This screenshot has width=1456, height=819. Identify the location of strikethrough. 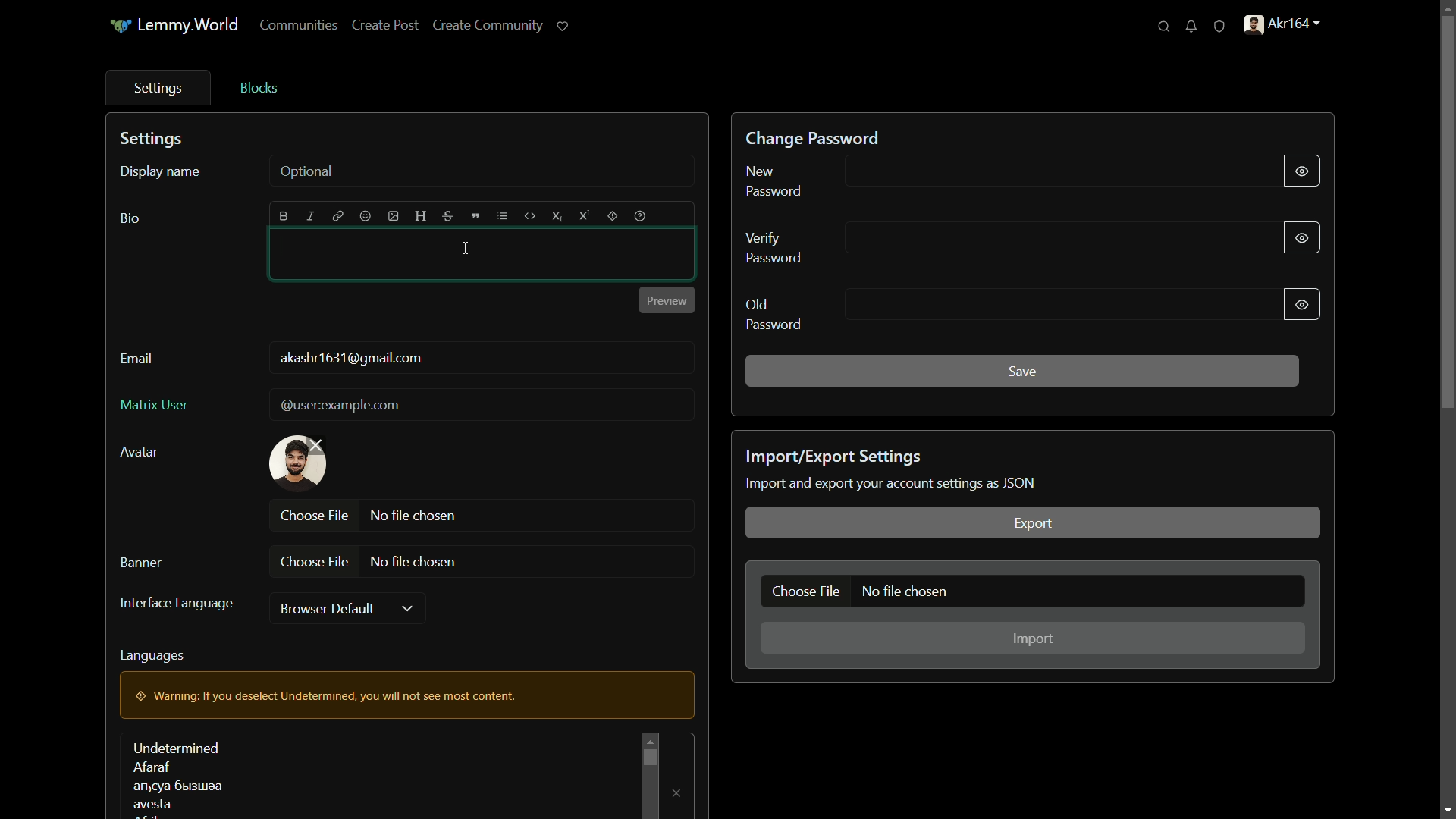
(447, 216).